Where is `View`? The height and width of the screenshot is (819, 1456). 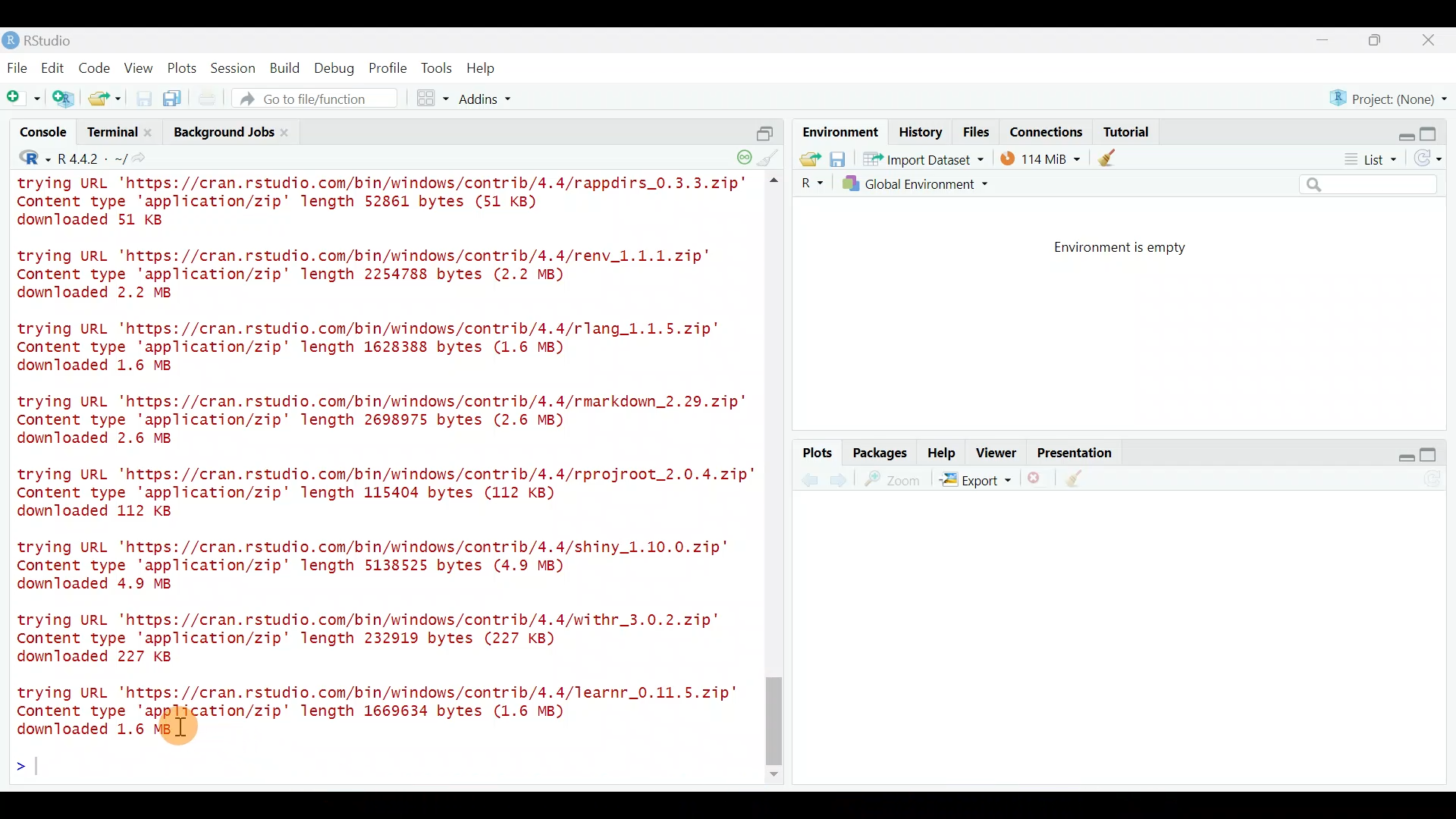
View is located at coordinates (140, 67).